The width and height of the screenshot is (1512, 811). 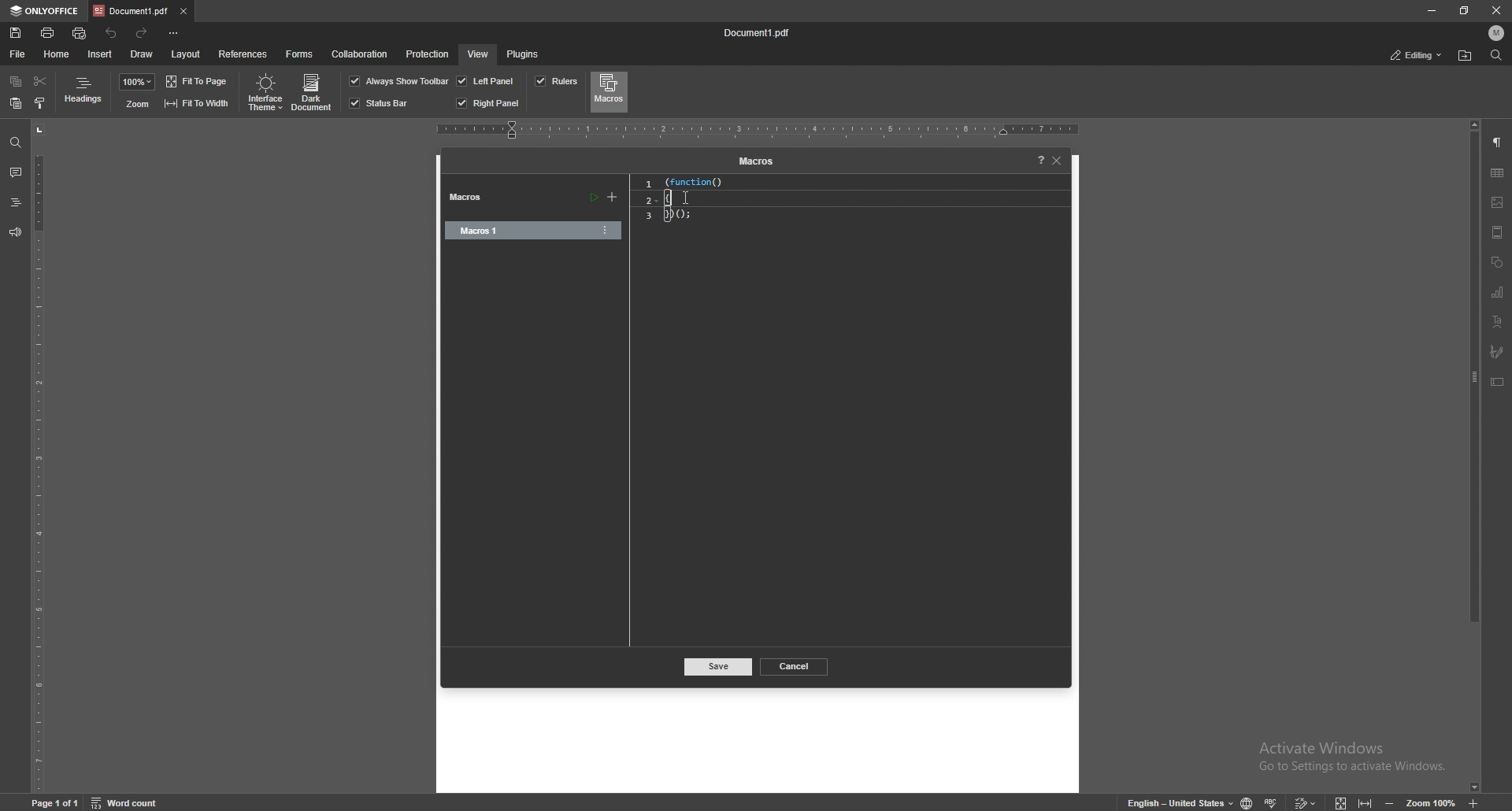 I want to click on feedback, so click(x=15, y=232).